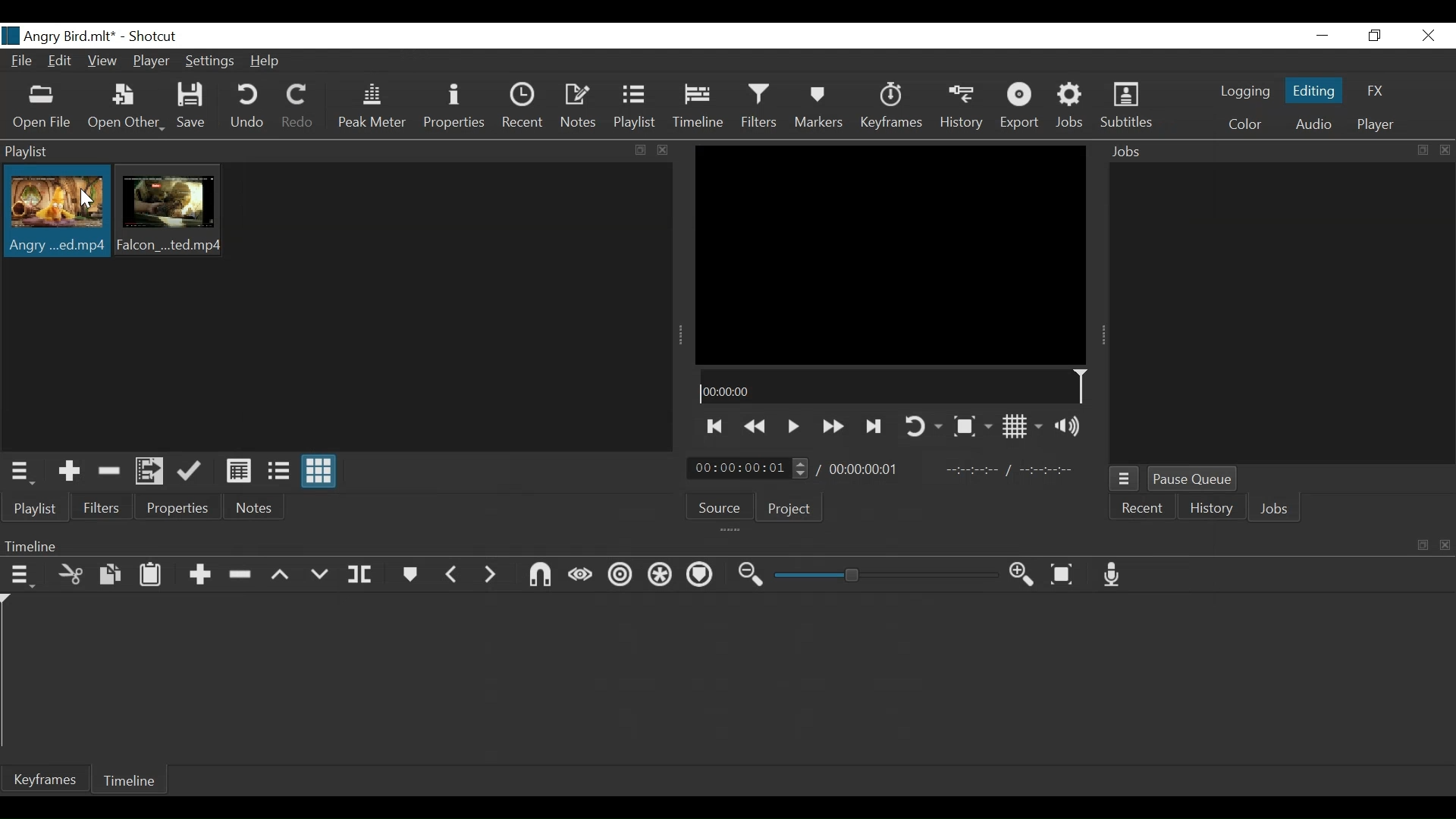 The image size is (1456, 819). I want to click on Minimize, so click(1323, 35).